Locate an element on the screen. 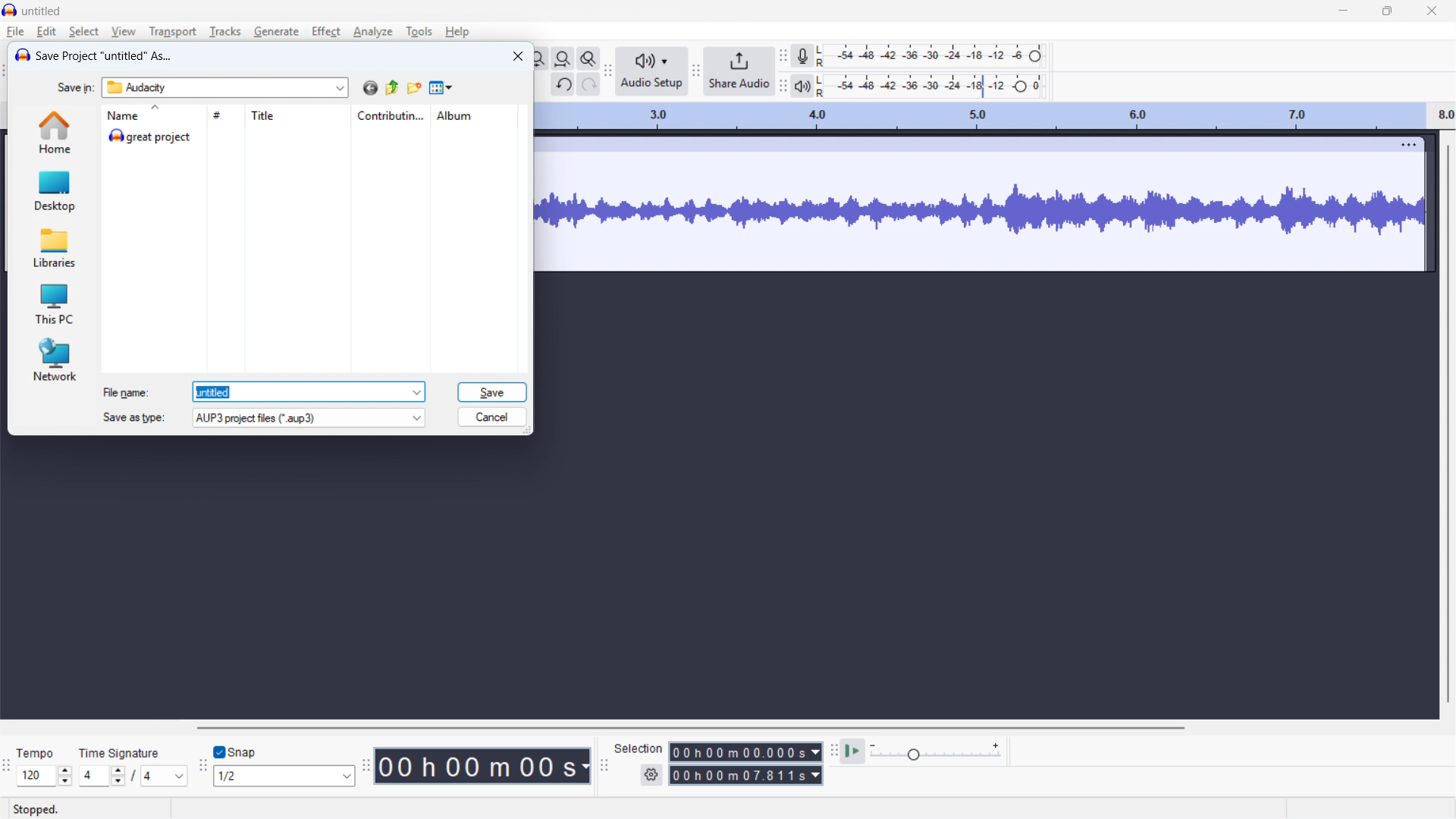 This screenshot has width=1456, height=819. timeline is located at coordinates (996, 117).